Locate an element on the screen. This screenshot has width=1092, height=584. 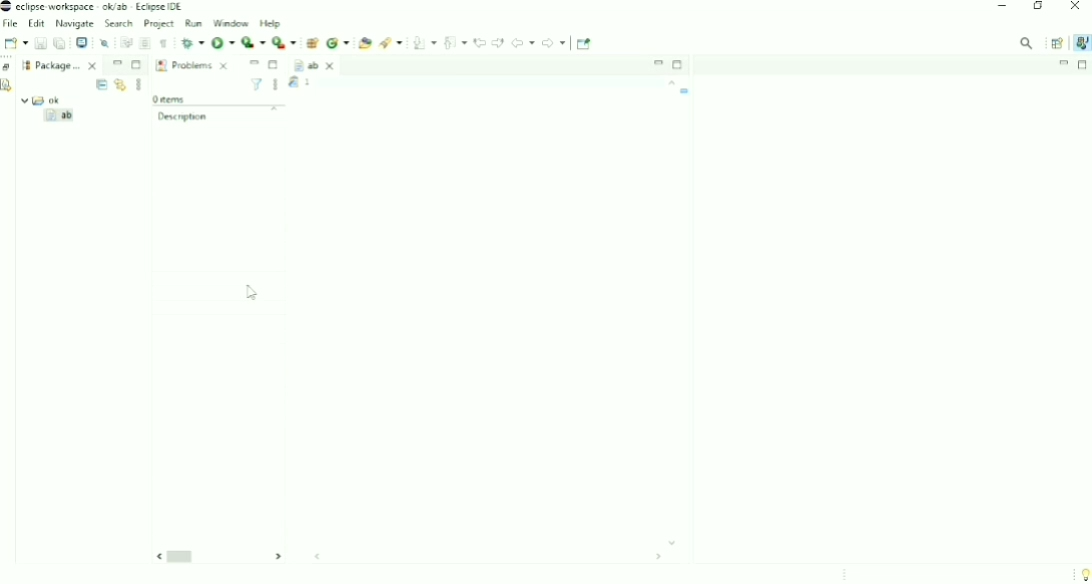
Restore is located at coordinates (8, 68).